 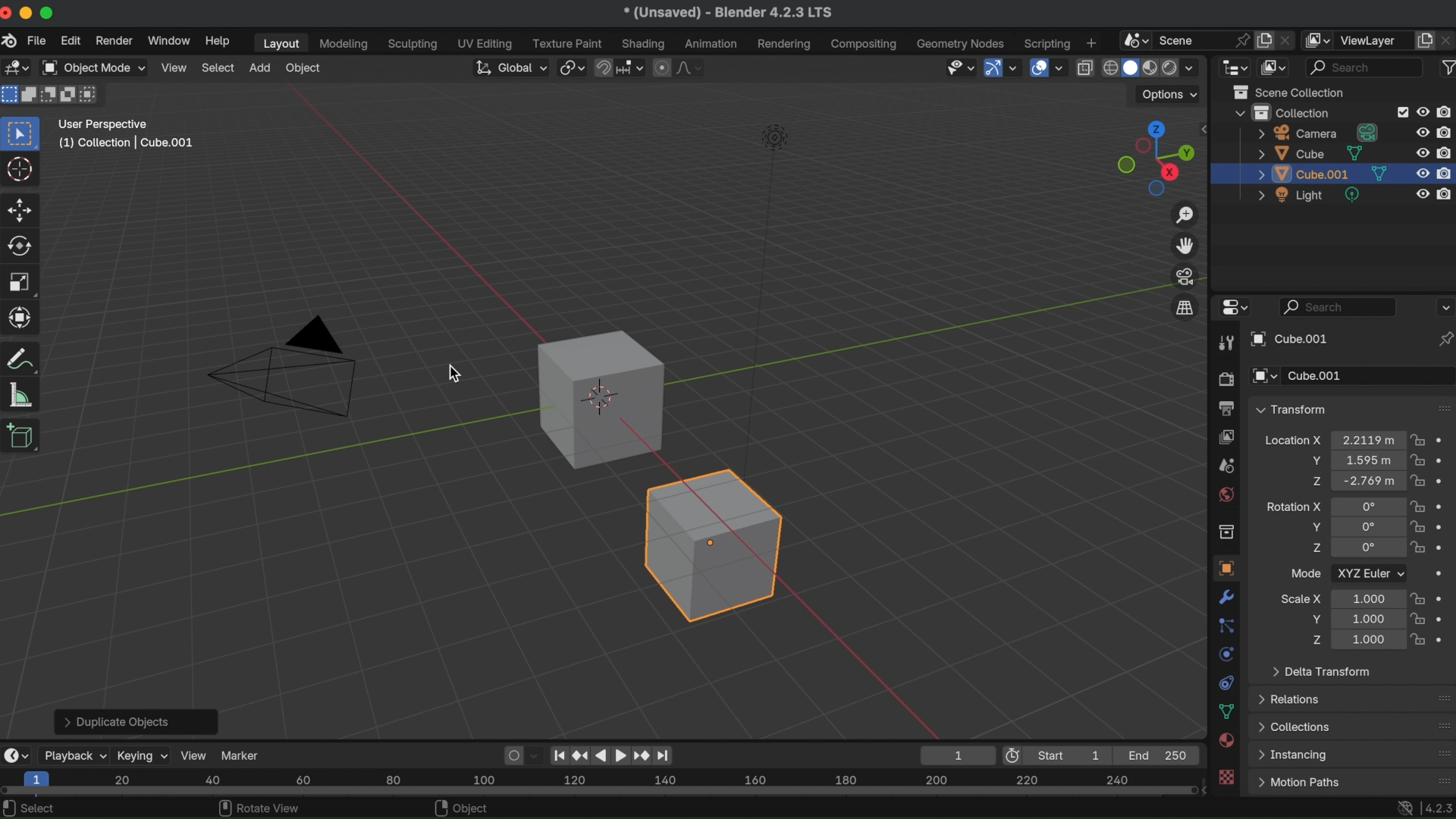 I want to click on add cube, so click(x=22, y=438).